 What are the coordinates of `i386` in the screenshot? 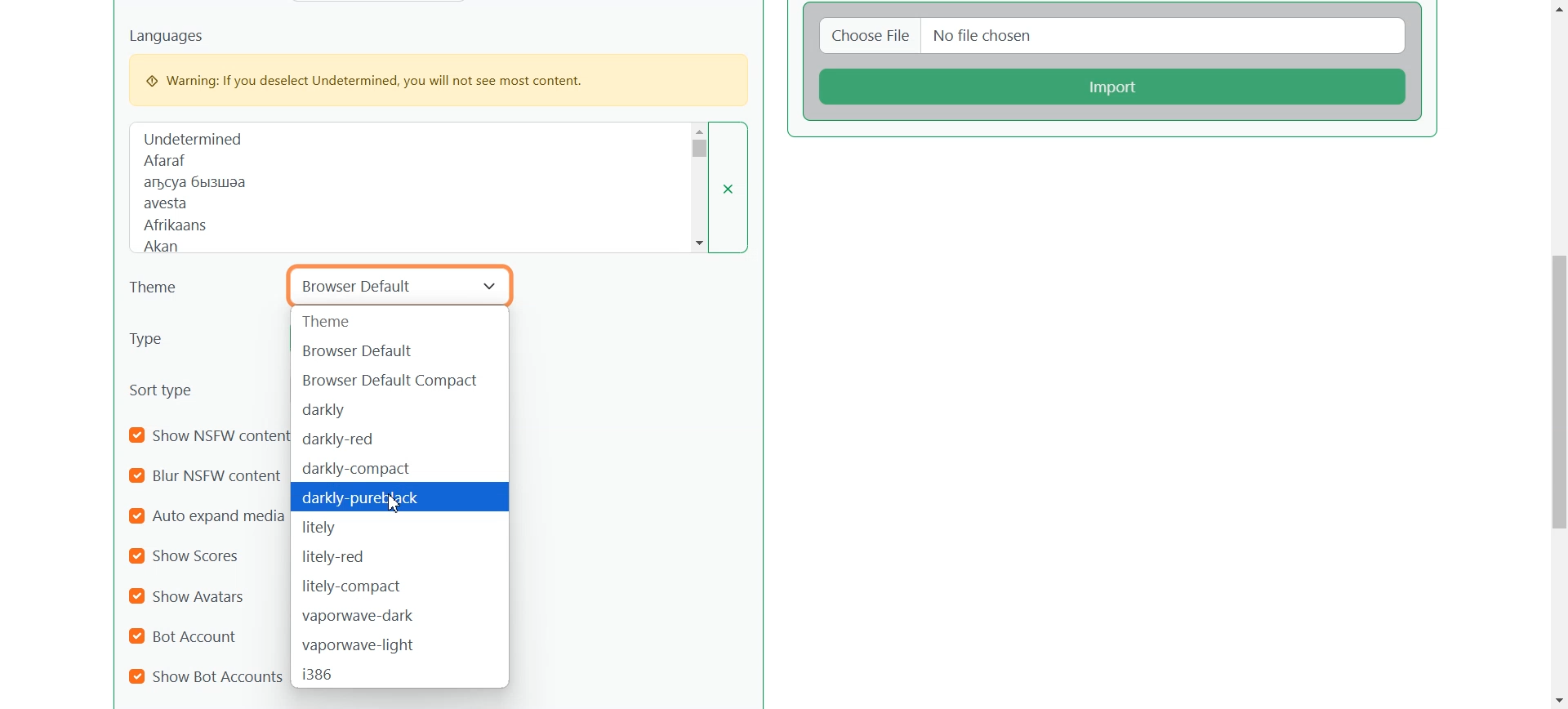 It's located at (402, 676).